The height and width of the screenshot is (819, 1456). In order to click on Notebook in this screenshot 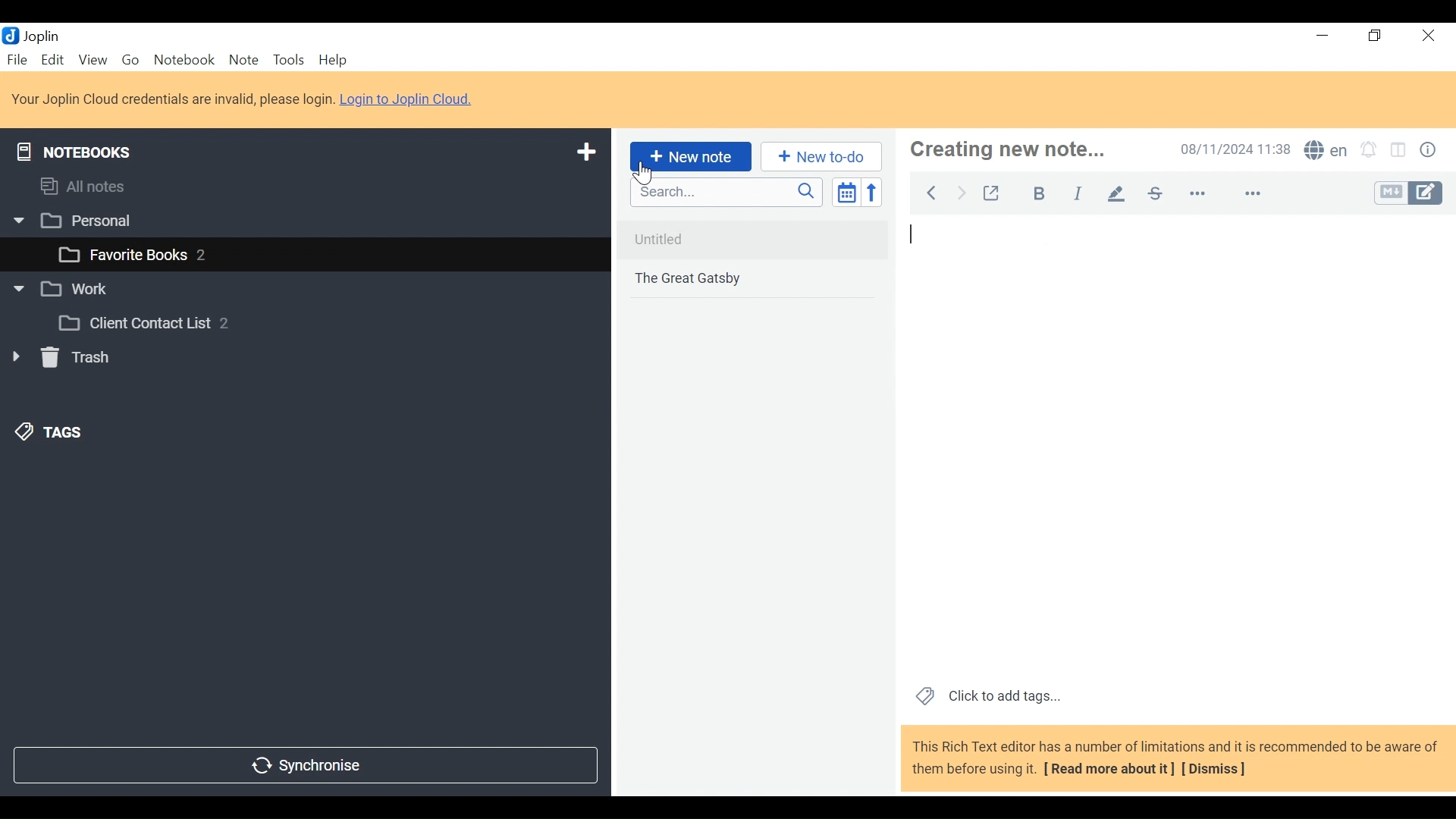, I will do `click(184, 61)`.